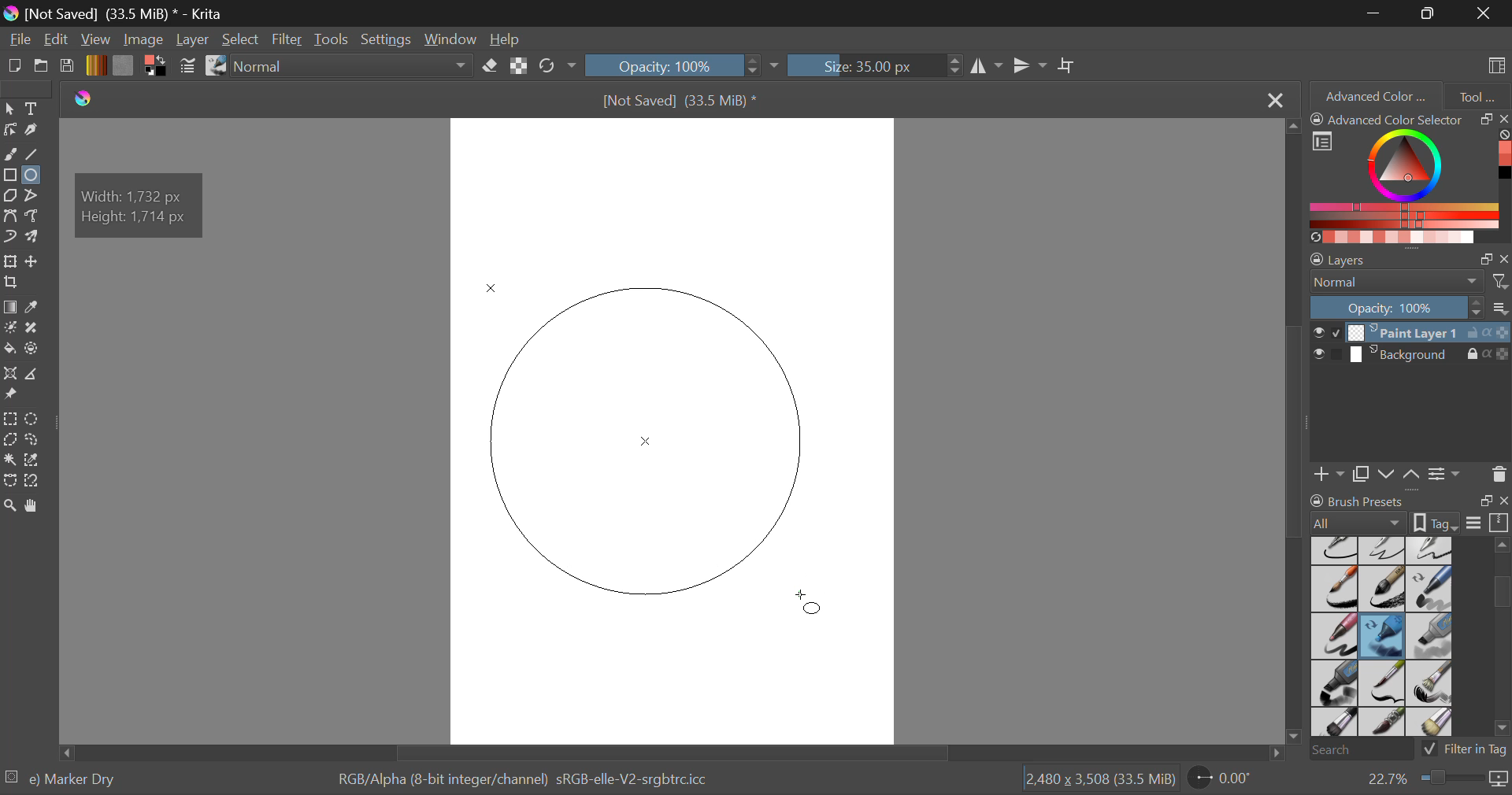  What do you see at coordinates (34, 108) in the screenshot?
I see `Text` at bounding box center [34, 108].